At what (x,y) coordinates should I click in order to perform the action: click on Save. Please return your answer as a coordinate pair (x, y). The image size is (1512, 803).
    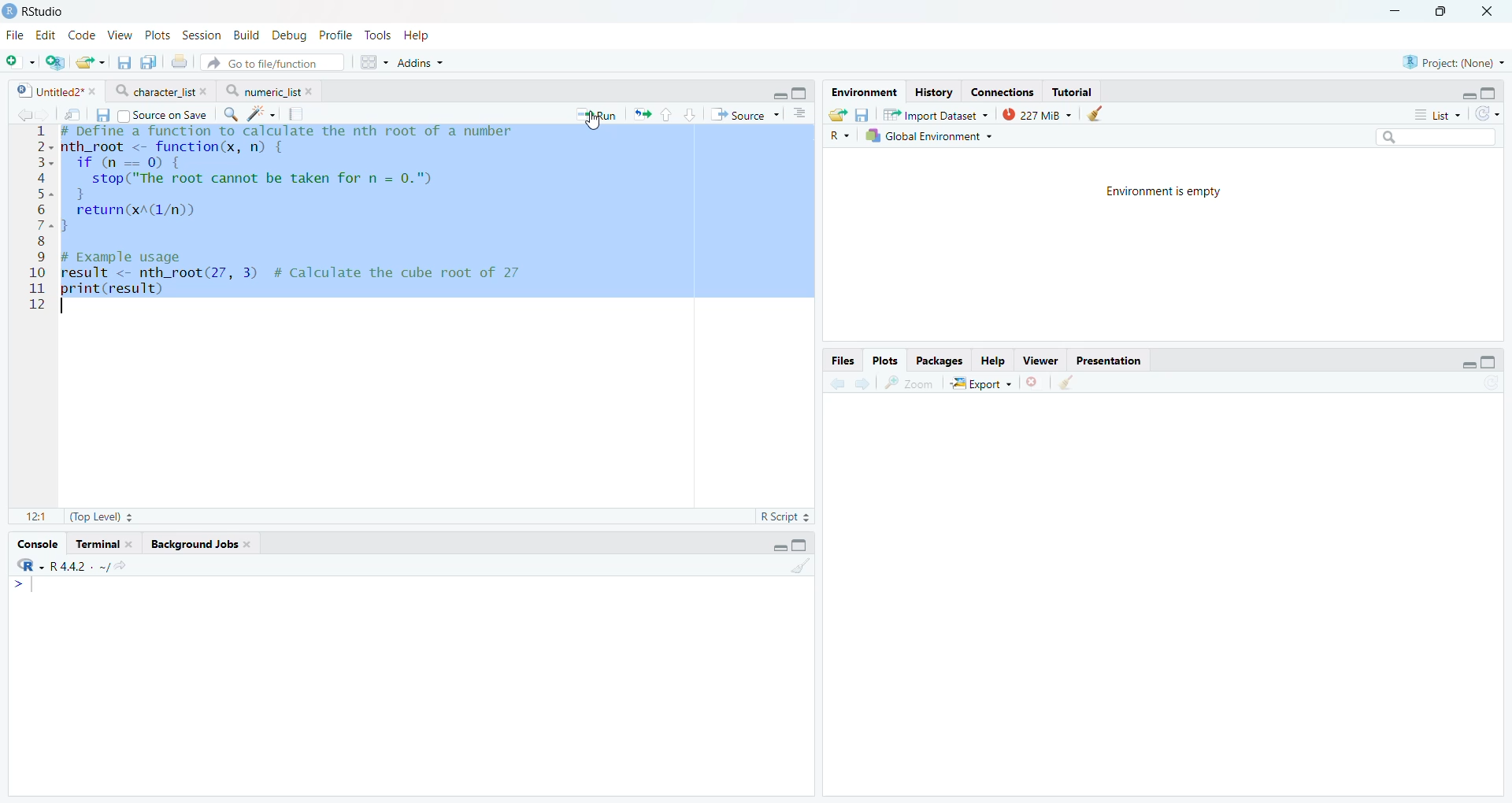
    Looking at the image, I should click on (104, 116).